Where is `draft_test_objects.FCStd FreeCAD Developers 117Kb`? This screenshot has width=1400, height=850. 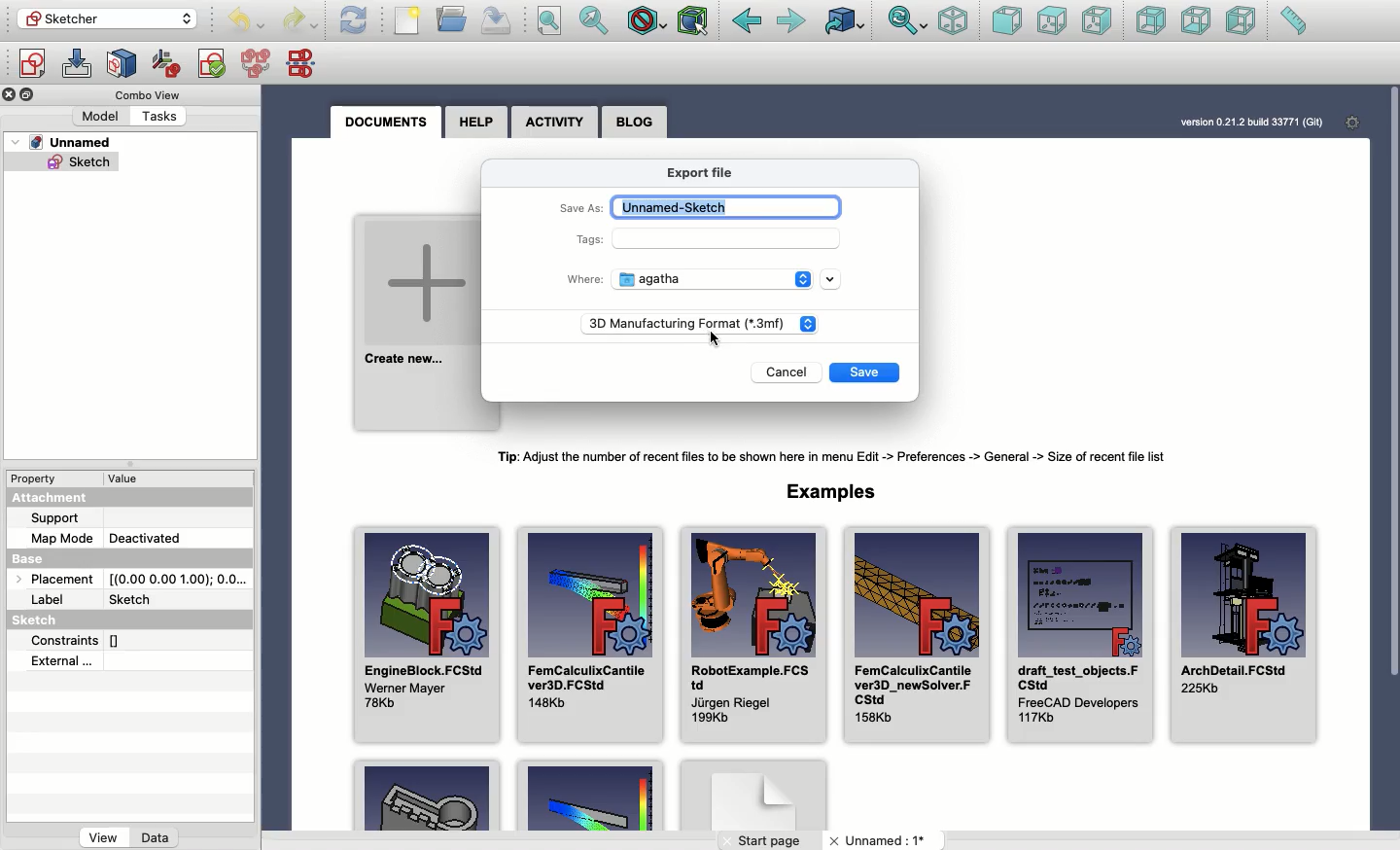 draft_test_objects.FCStd FreeCAD Developers 117Kb is located at coordinates (1080, 636).